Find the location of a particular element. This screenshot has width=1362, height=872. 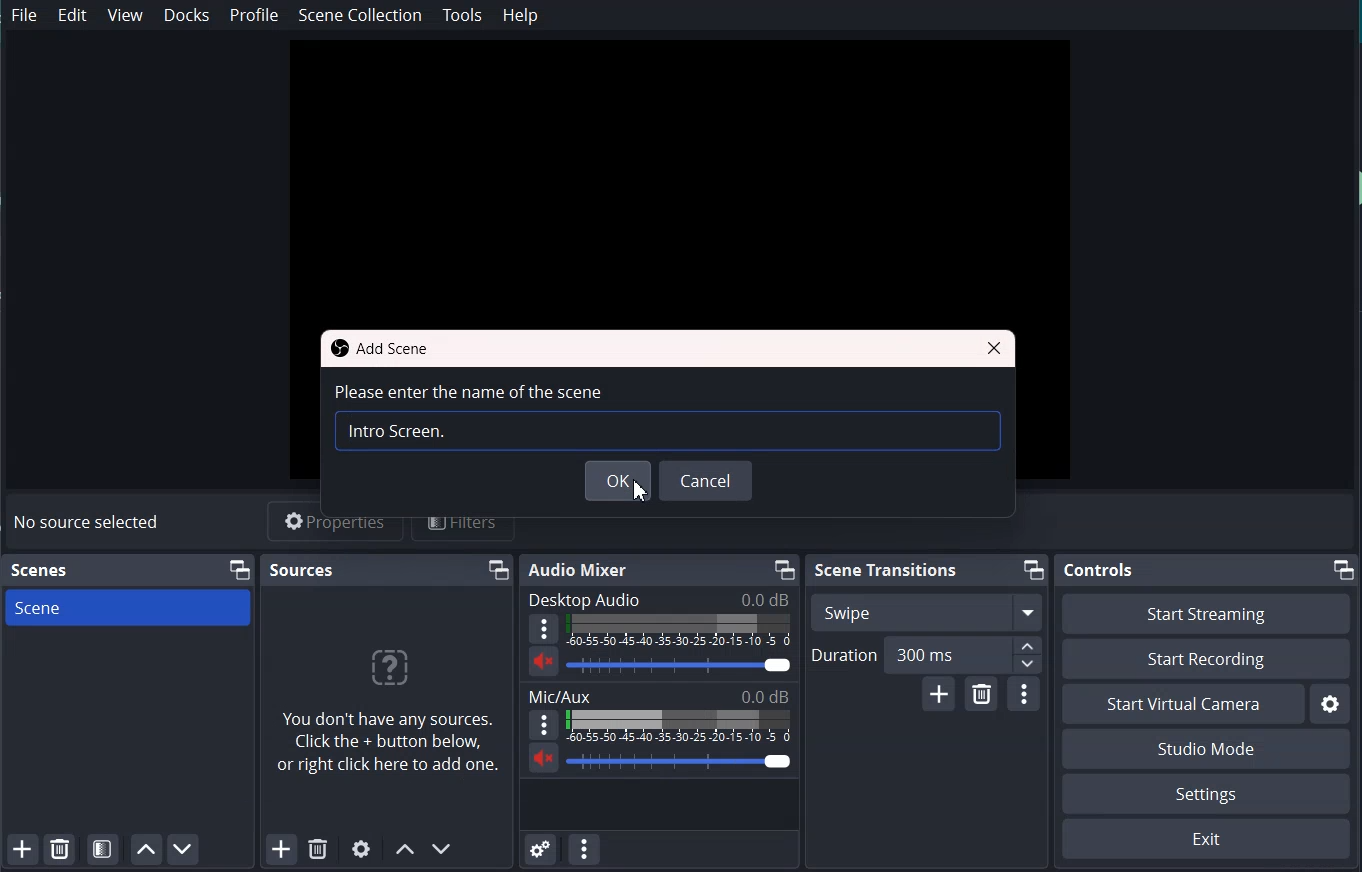

Filters is located at coordinates (463, 525).